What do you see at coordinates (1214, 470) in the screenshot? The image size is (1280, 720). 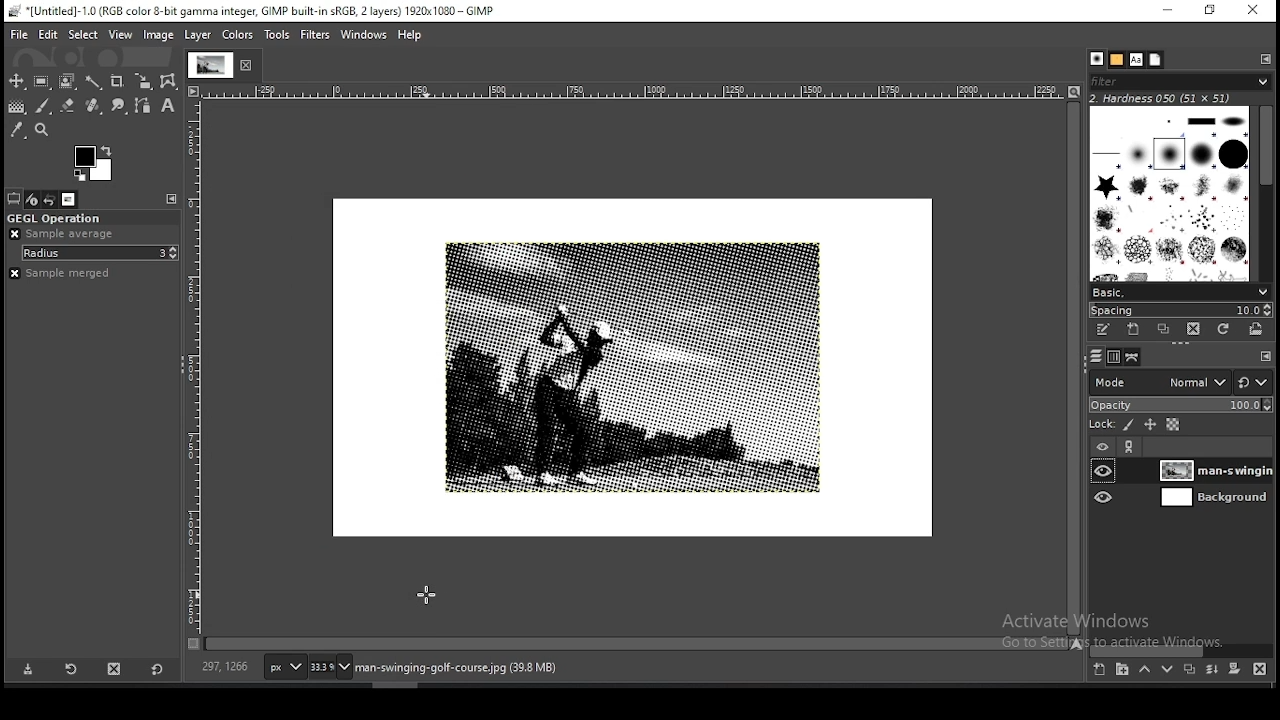 I see `layer` at bounding box center [1214, 470].